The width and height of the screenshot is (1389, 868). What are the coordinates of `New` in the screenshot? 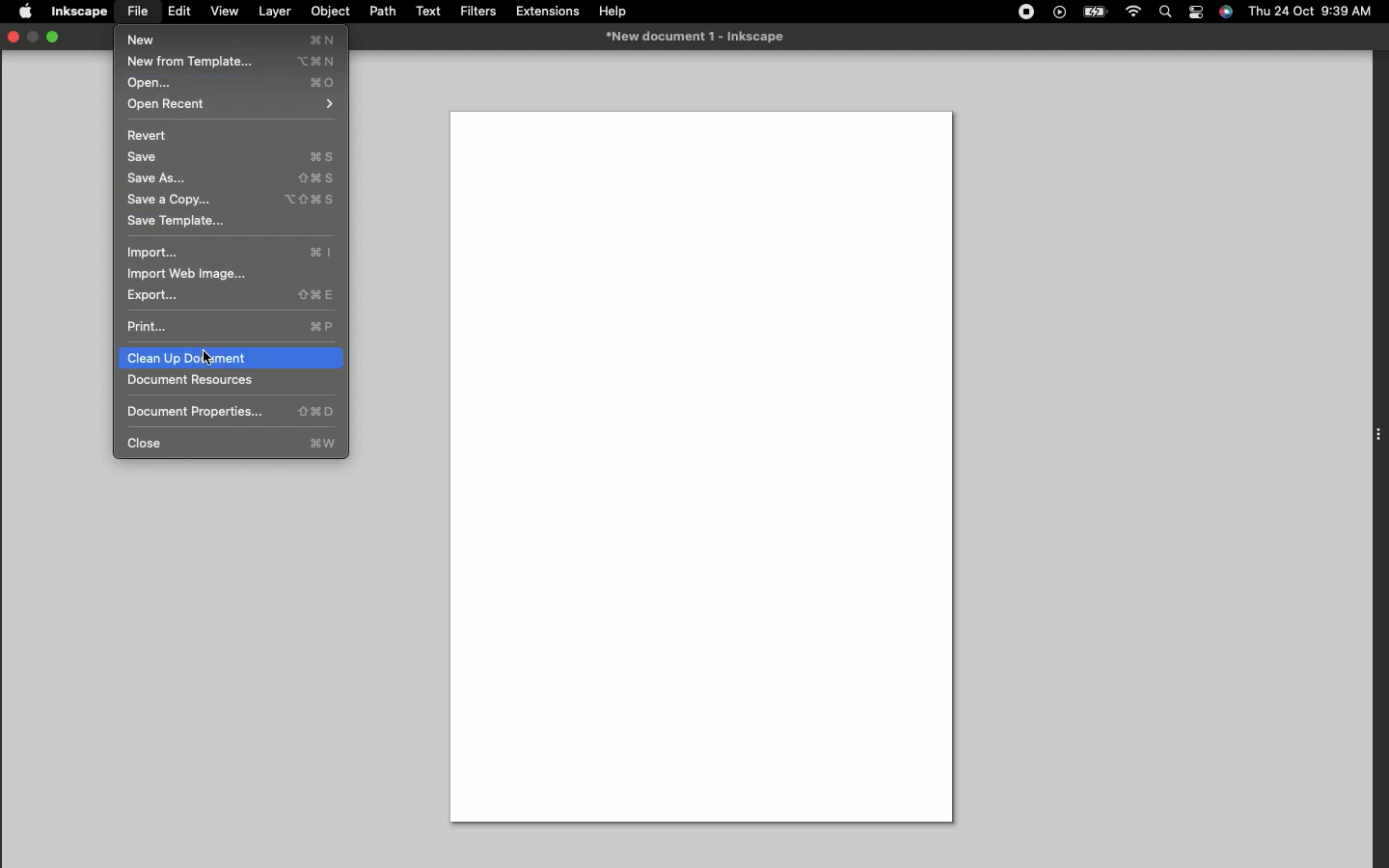 It's located at (232, 41).